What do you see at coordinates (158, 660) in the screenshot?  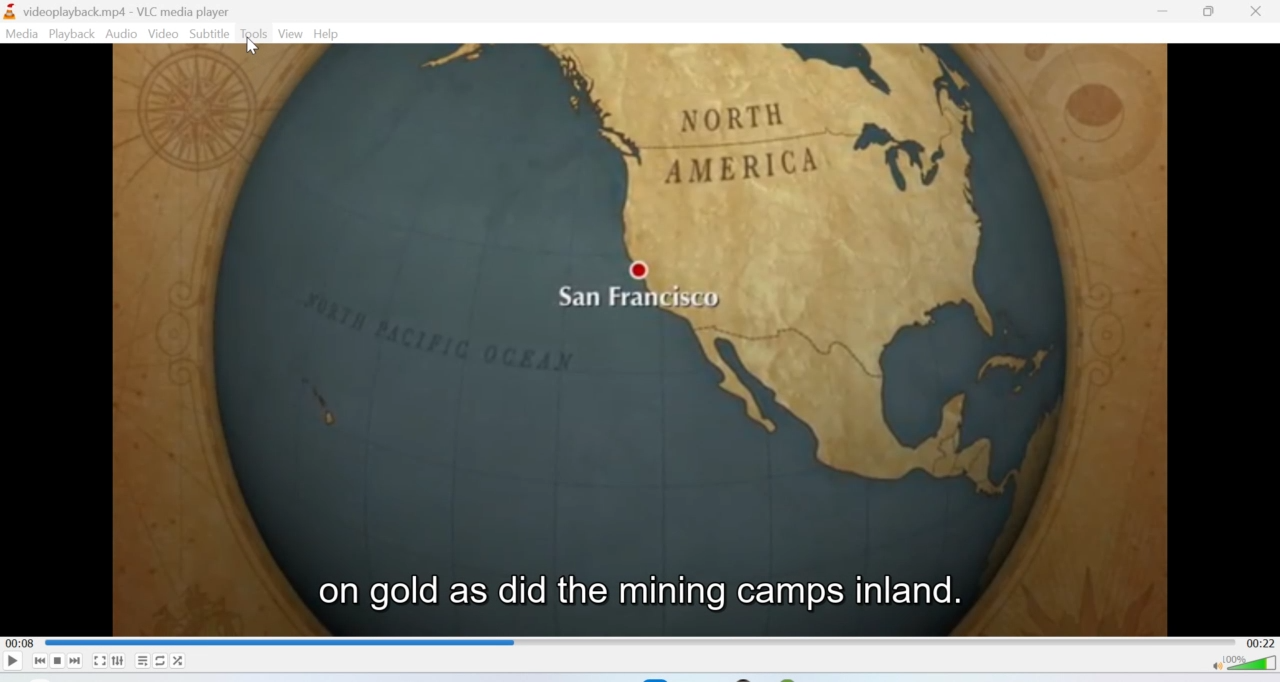 I see `Loop` at bounding box center [158, 660].